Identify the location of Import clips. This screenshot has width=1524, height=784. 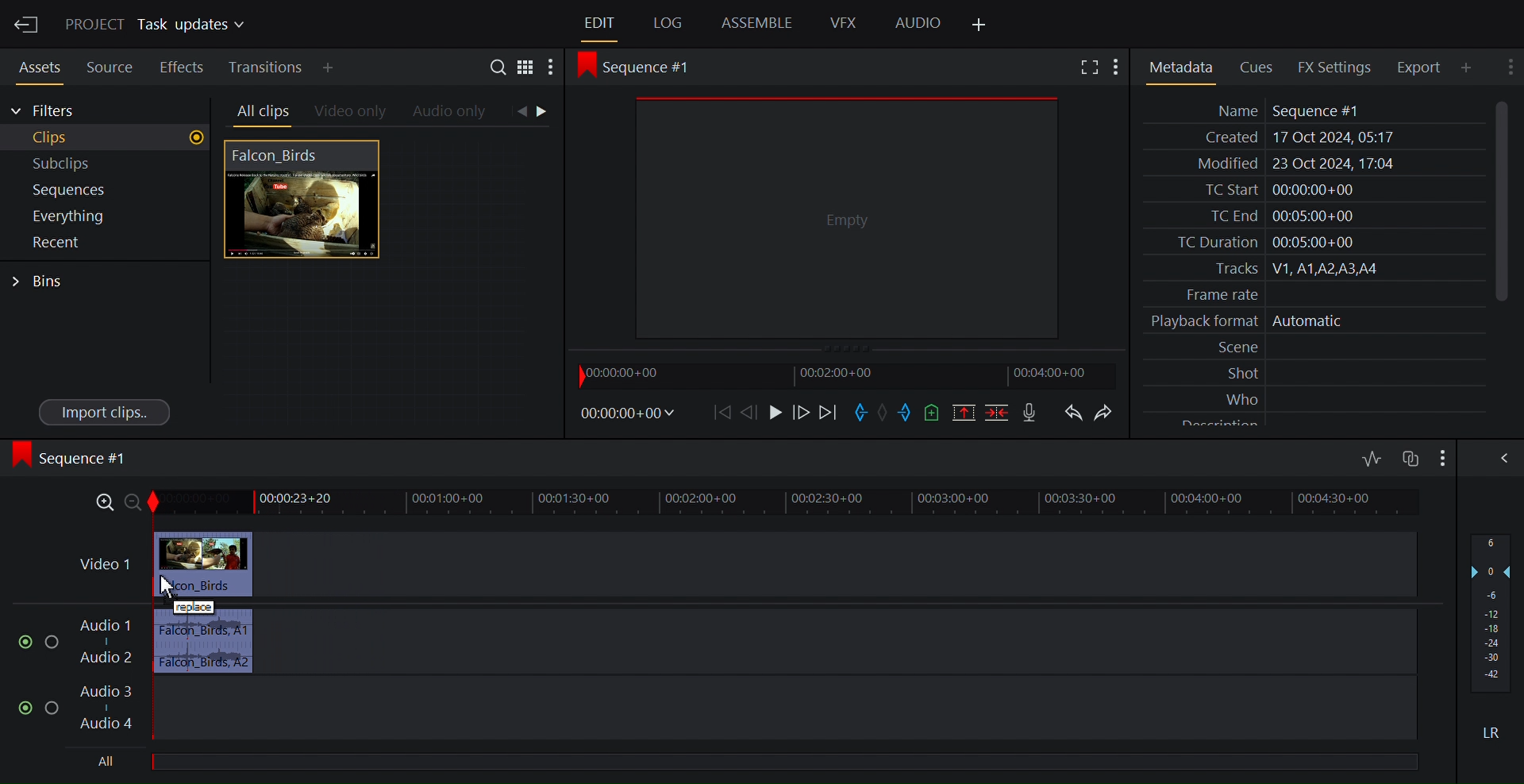
(106, 411).